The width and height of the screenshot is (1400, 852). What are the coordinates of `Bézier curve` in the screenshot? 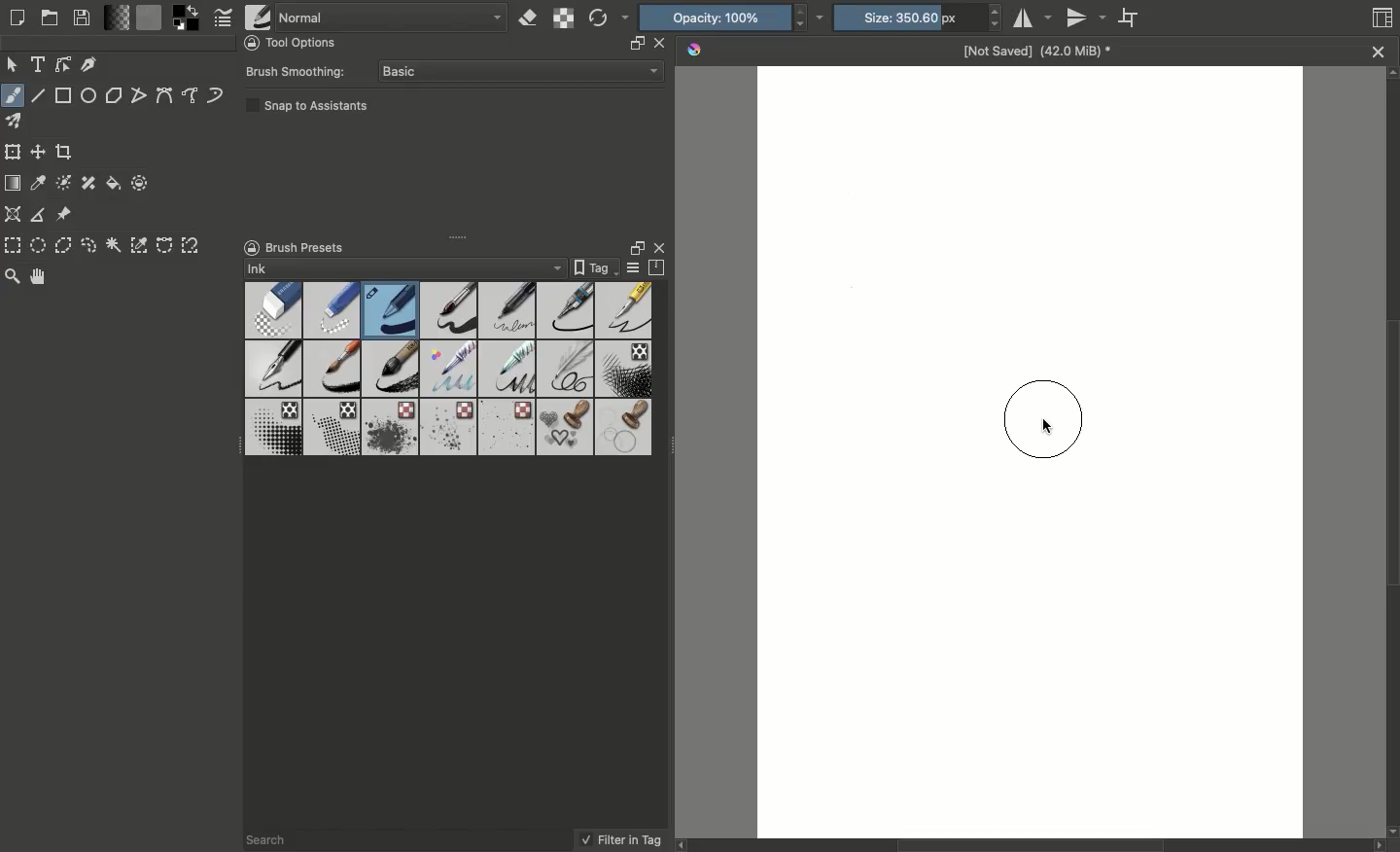 It's located at (165, 97).